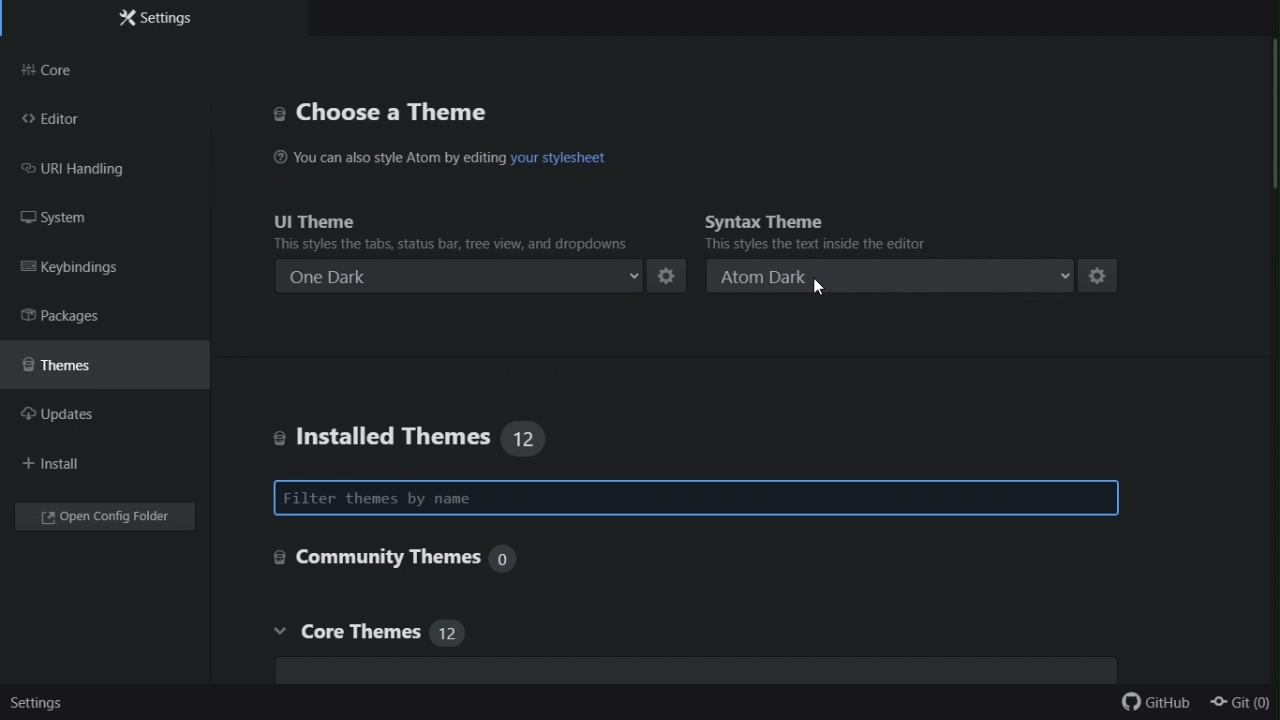 The image size is (1280, 720). Describe the element at coordinates (454, 559) in the screenshot. I see `Community themes` at that location.